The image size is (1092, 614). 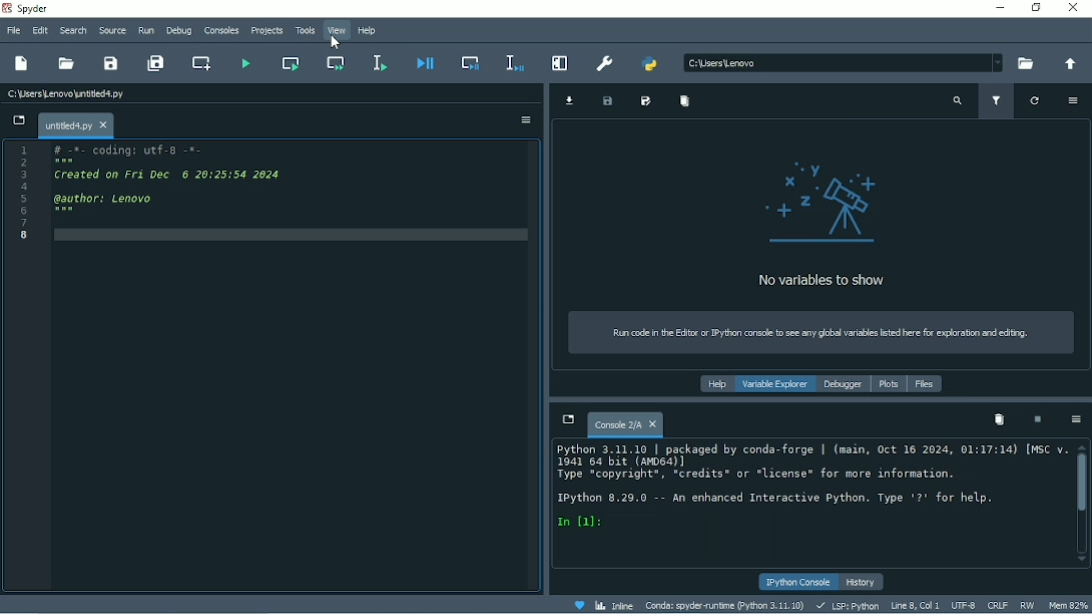 What do you see at coordinates (515, 64) in the screenshot?
I see `Debug selection or current line` at bounding box center [515, 64].